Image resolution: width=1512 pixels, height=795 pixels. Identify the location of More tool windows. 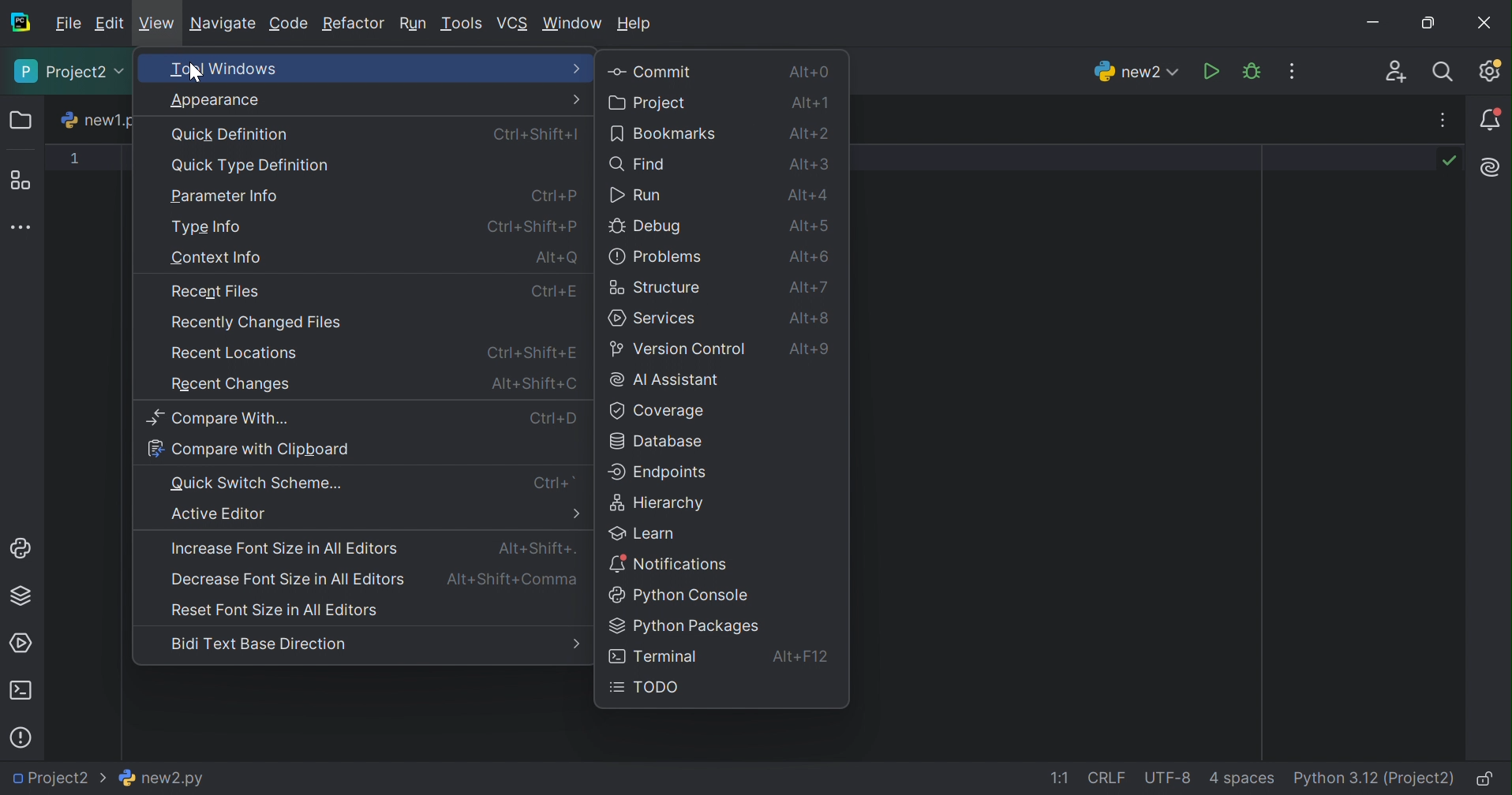
(22, 228).